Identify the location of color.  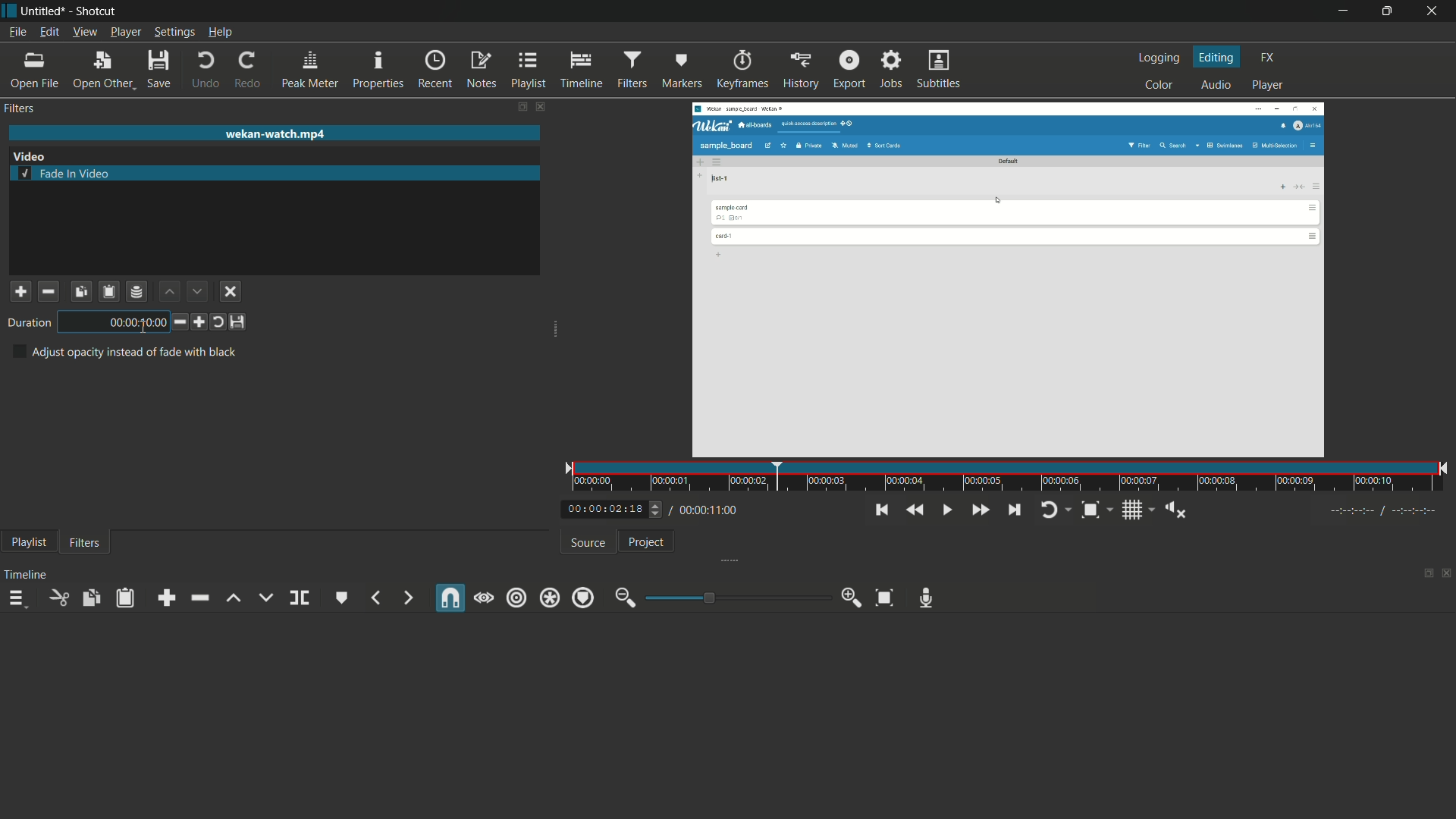
(1159, 85).